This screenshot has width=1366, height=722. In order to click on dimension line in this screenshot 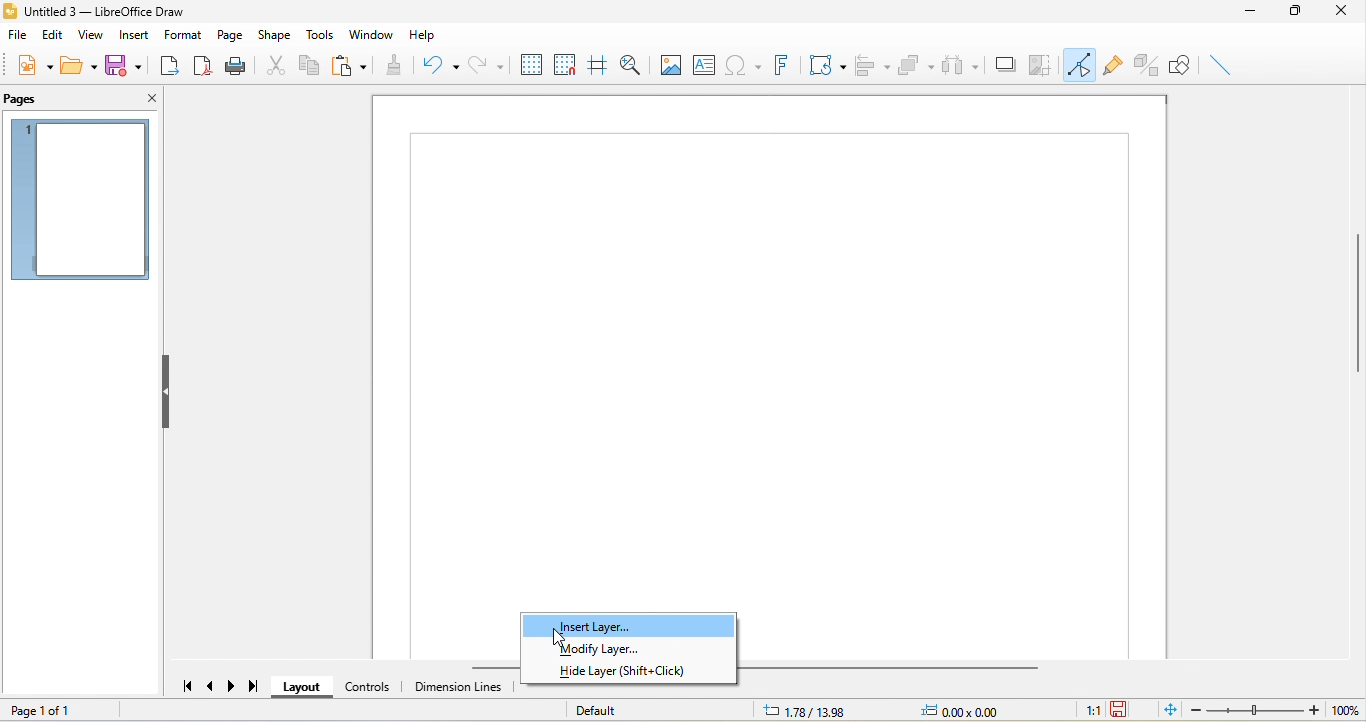, I will do `click(469, 689)`.